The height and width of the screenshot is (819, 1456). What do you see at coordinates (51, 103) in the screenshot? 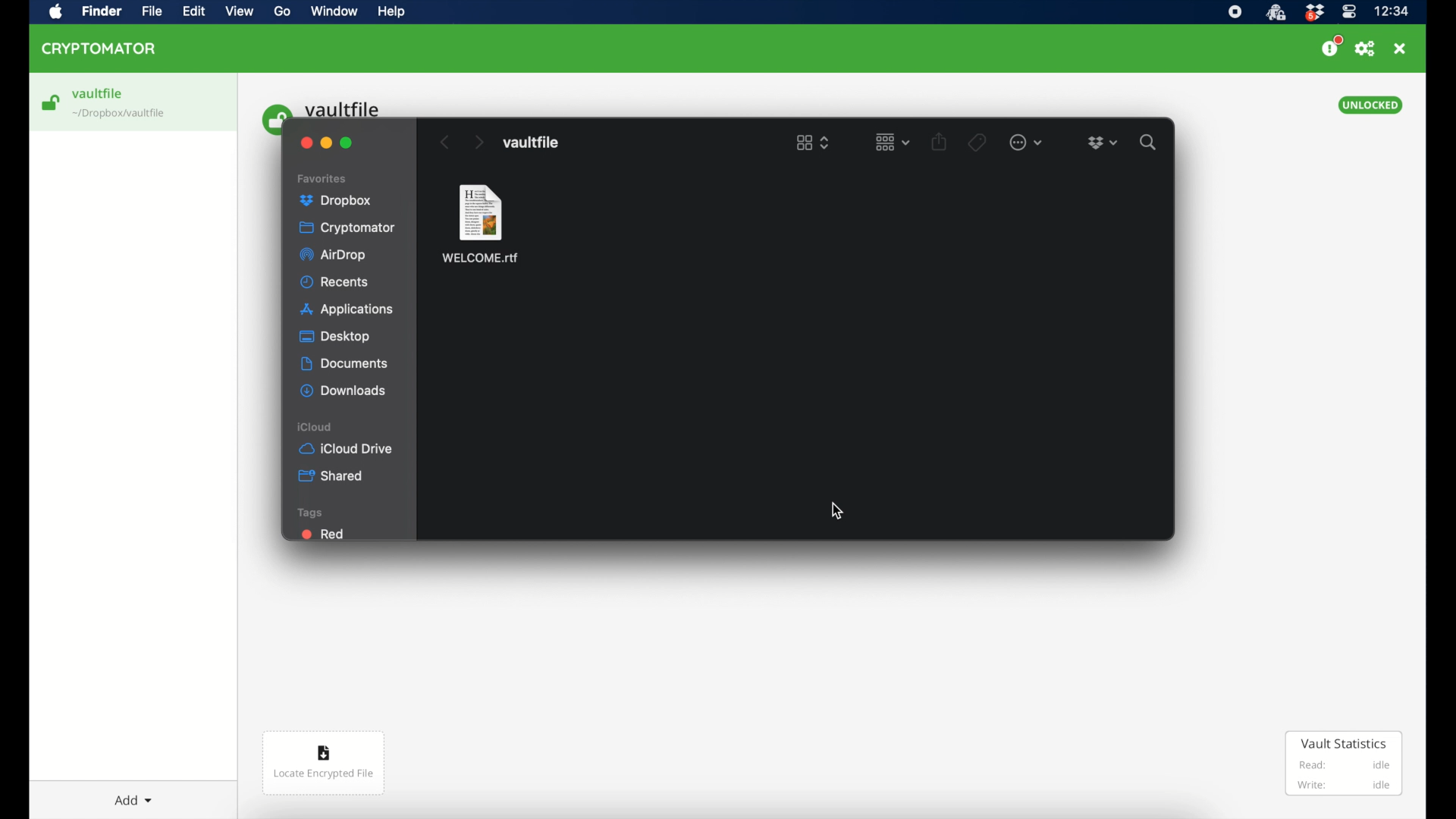
I see `loading icon` at bounding box center [51, 103].